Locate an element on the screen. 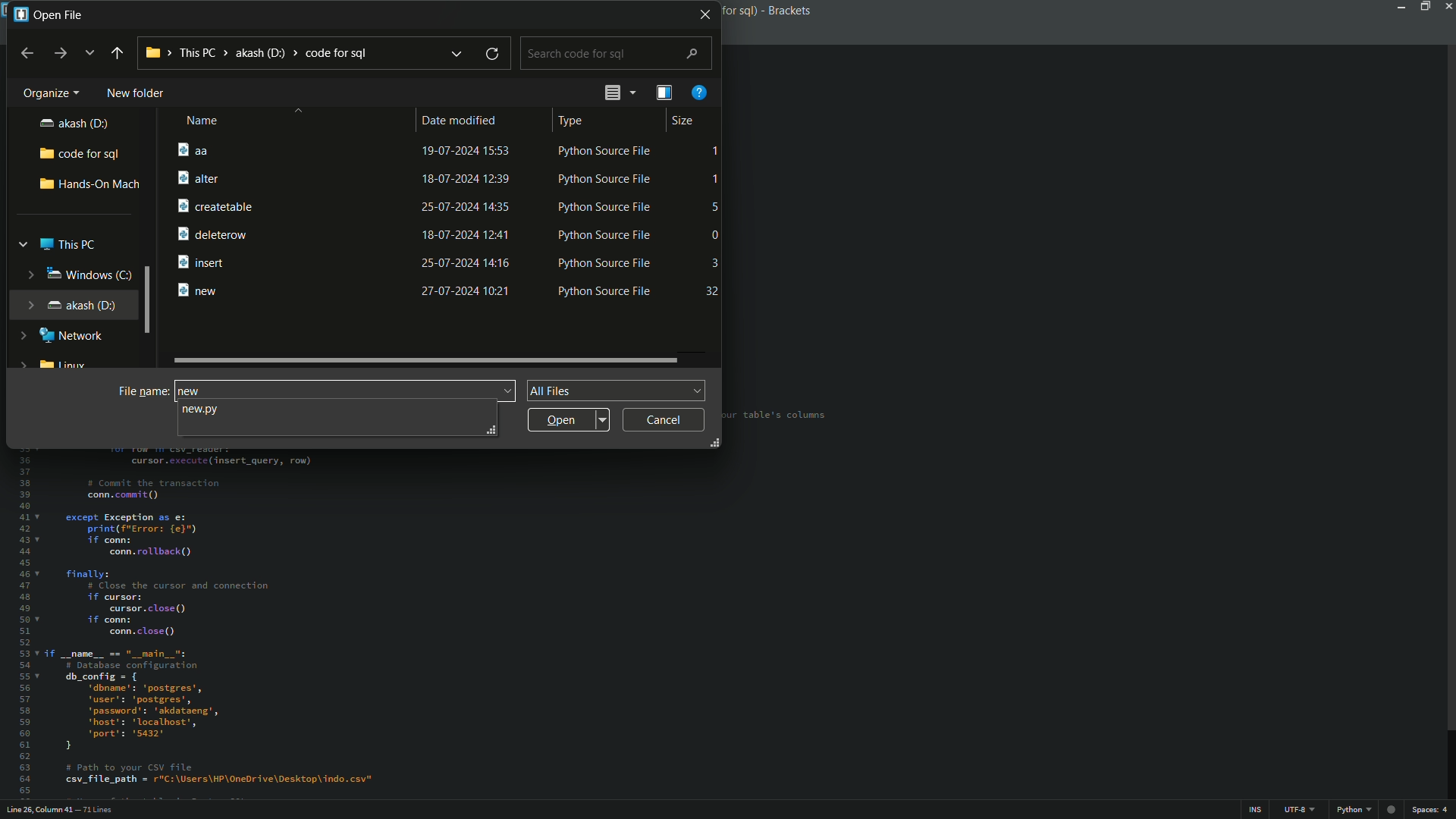 The width and height of the screenshot is (1456, 819). number of lines is located at coordinates (98, 809).